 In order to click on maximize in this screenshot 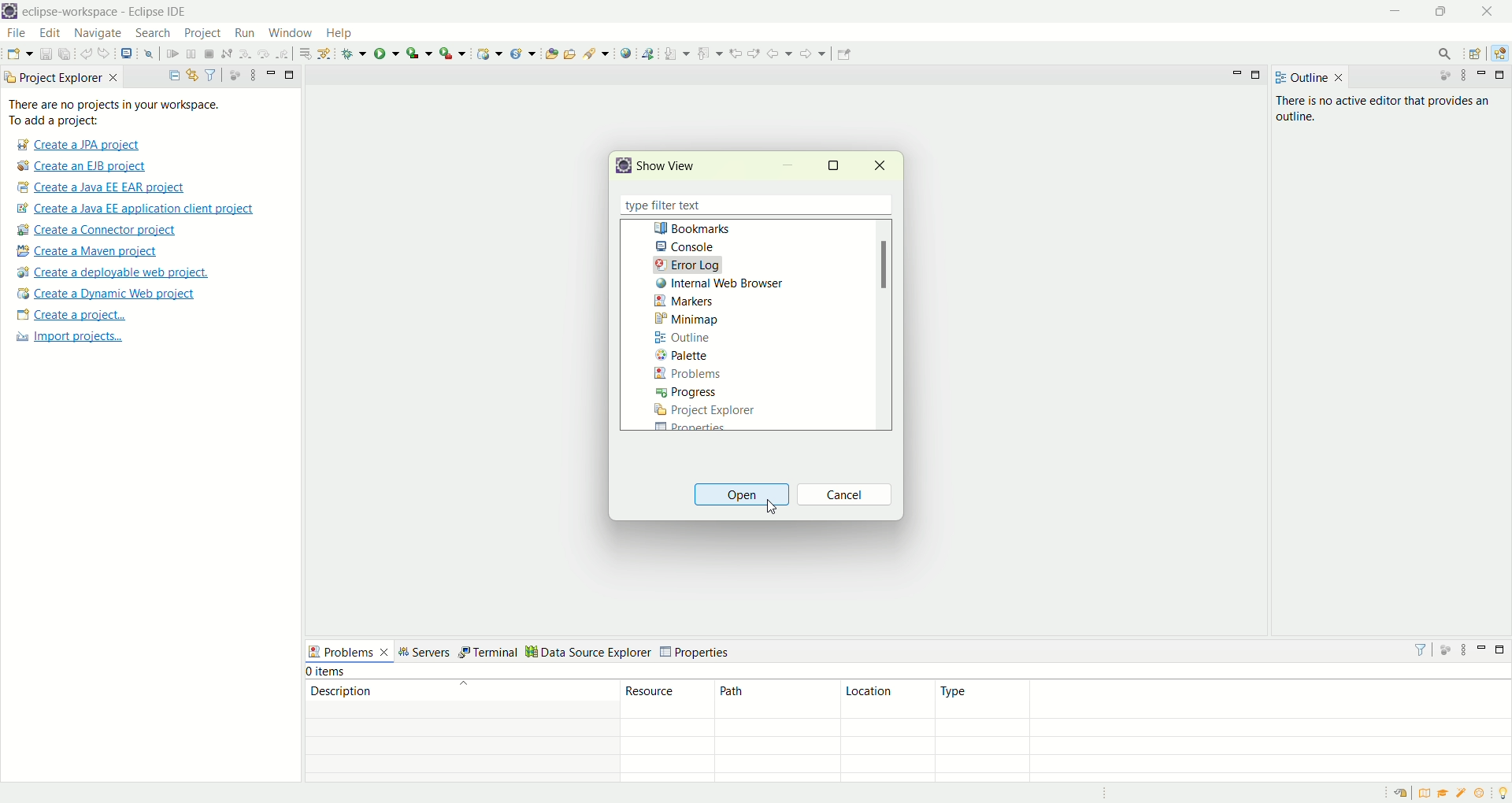, I will do `click(1501, 76)`.